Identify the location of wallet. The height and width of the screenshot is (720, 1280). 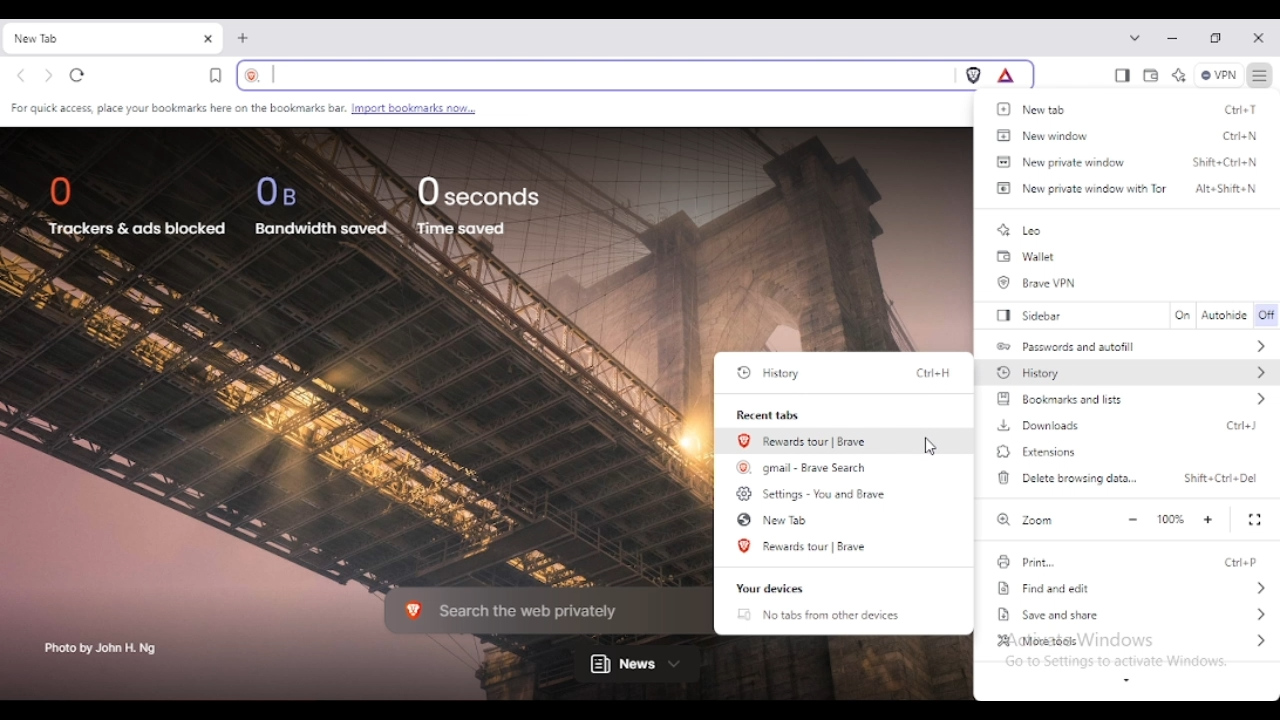
(1026, 257).